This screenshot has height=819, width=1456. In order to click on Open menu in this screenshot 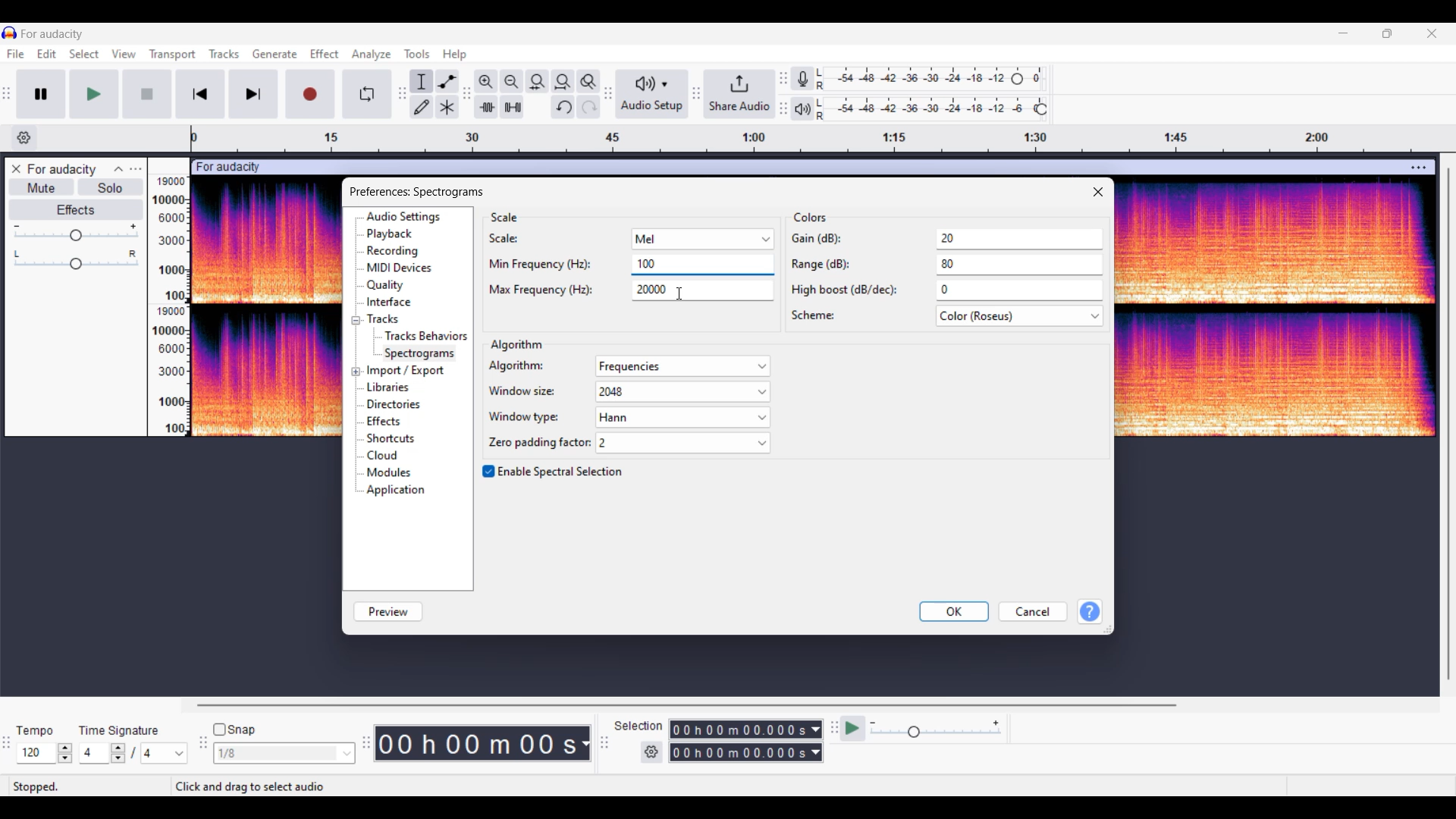, I will do `click(136, 169)`.